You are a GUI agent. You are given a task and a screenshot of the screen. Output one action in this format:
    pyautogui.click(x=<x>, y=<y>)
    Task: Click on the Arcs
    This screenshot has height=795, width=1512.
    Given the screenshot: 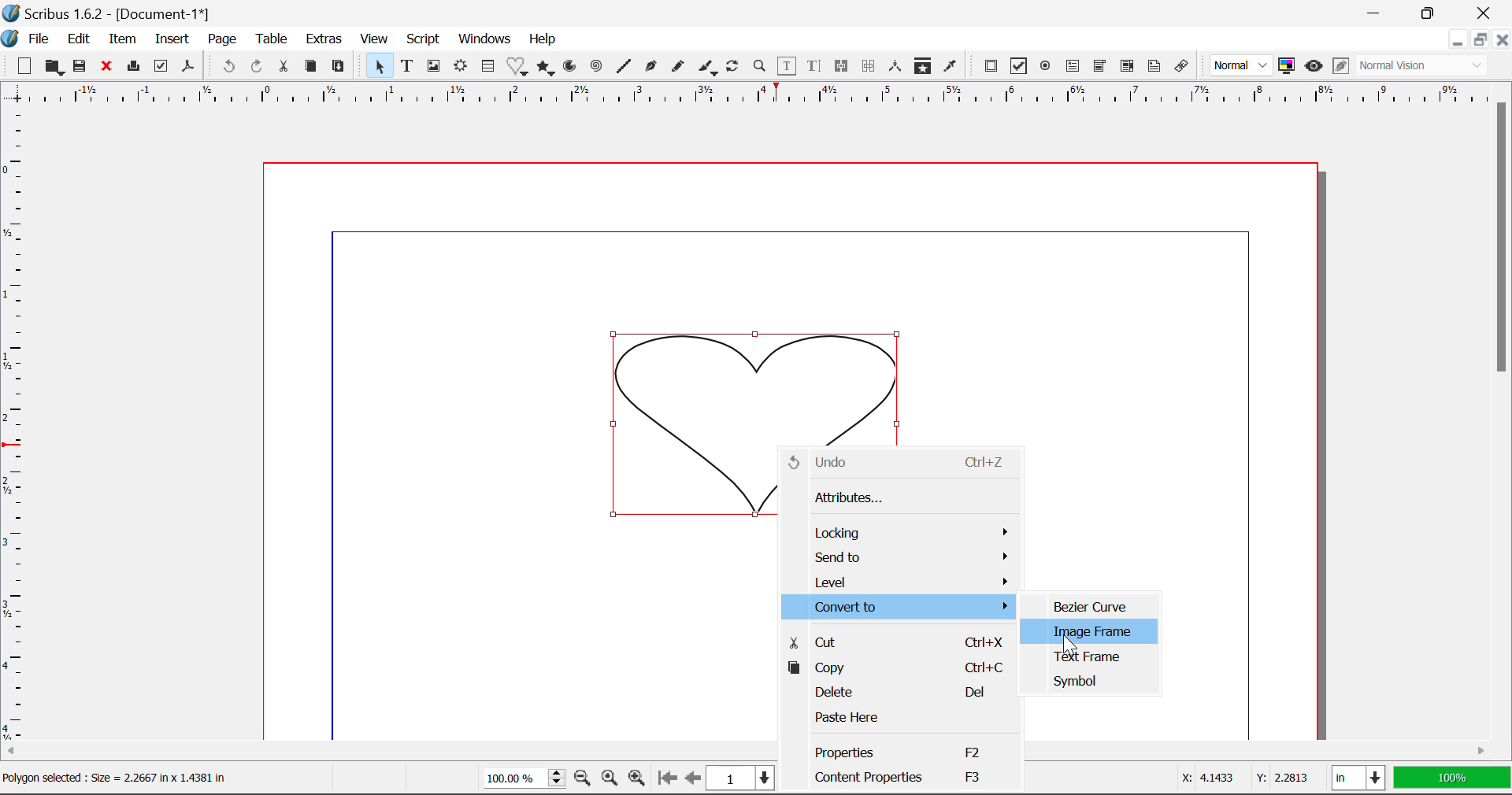 What is the action you would take?
    pyautogui.click(x=569, y=66)
    